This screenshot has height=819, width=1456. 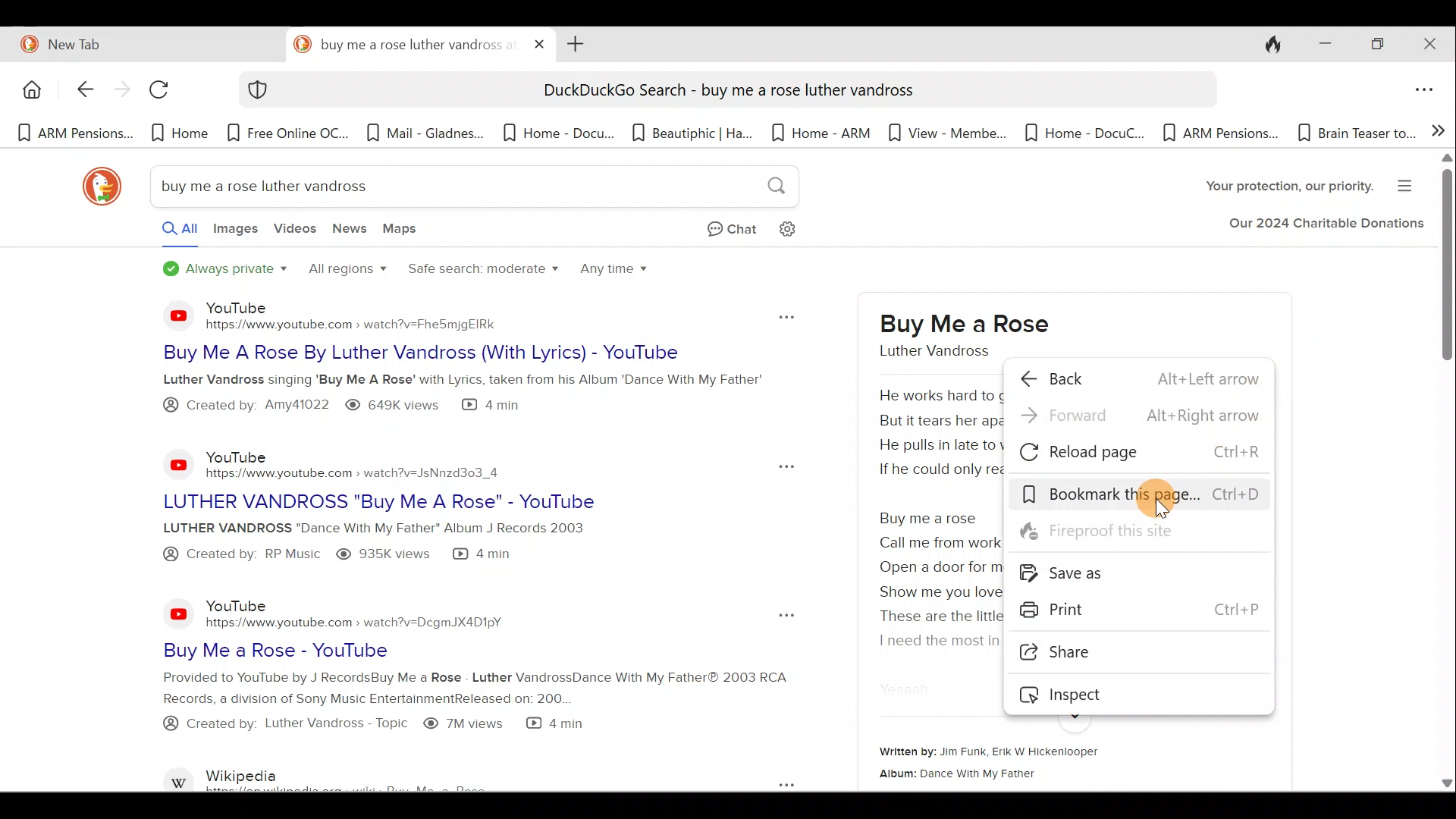 I want to click on Show more bookmarks, so click(x=1439, y=129).